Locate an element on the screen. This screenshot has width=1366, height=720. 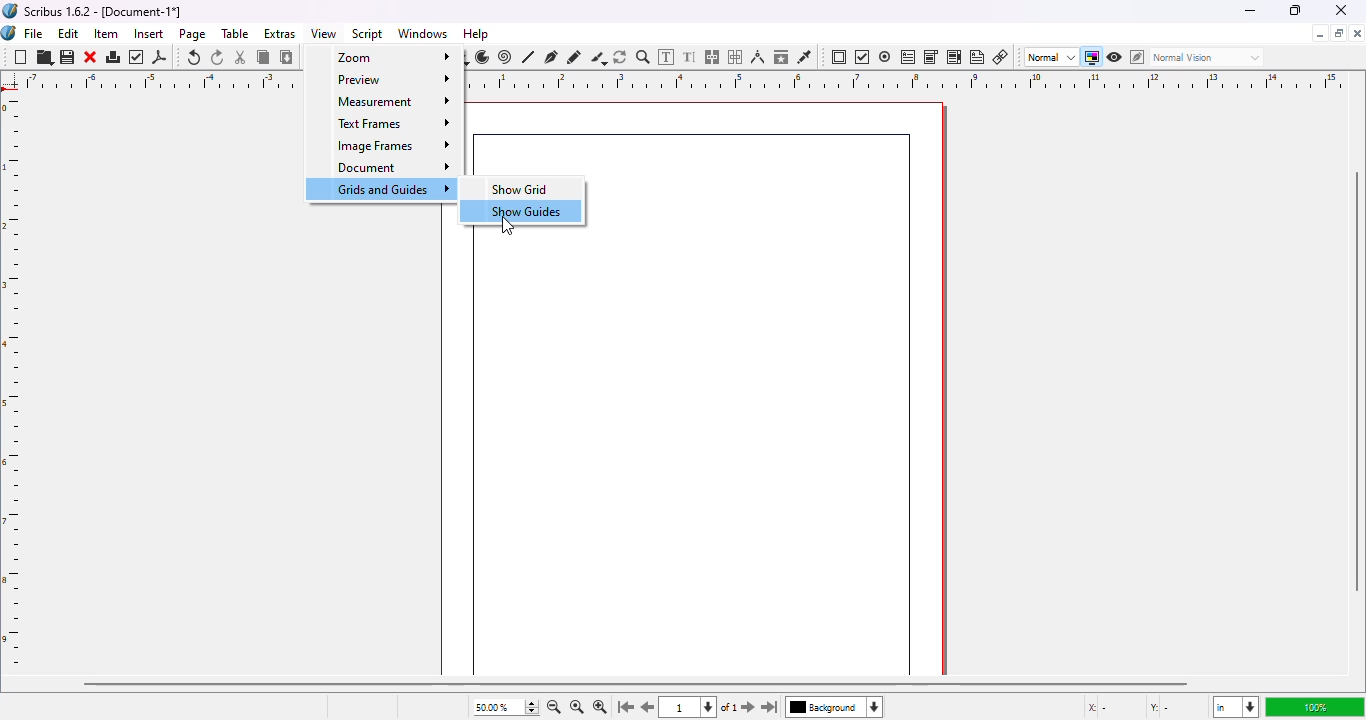
PDF text field is located at coordinates (908, 56).